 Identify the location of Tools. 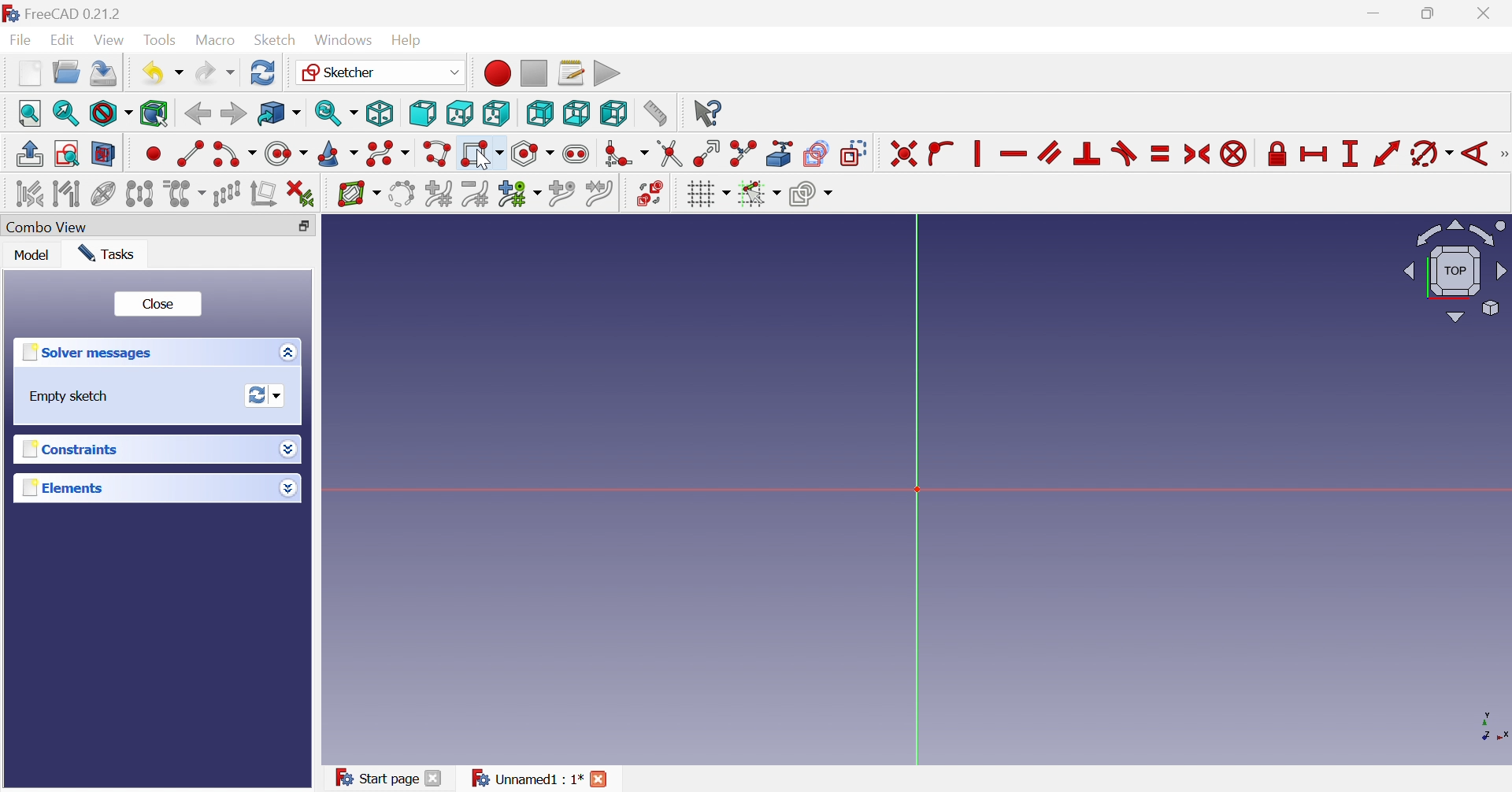
(160, 39).